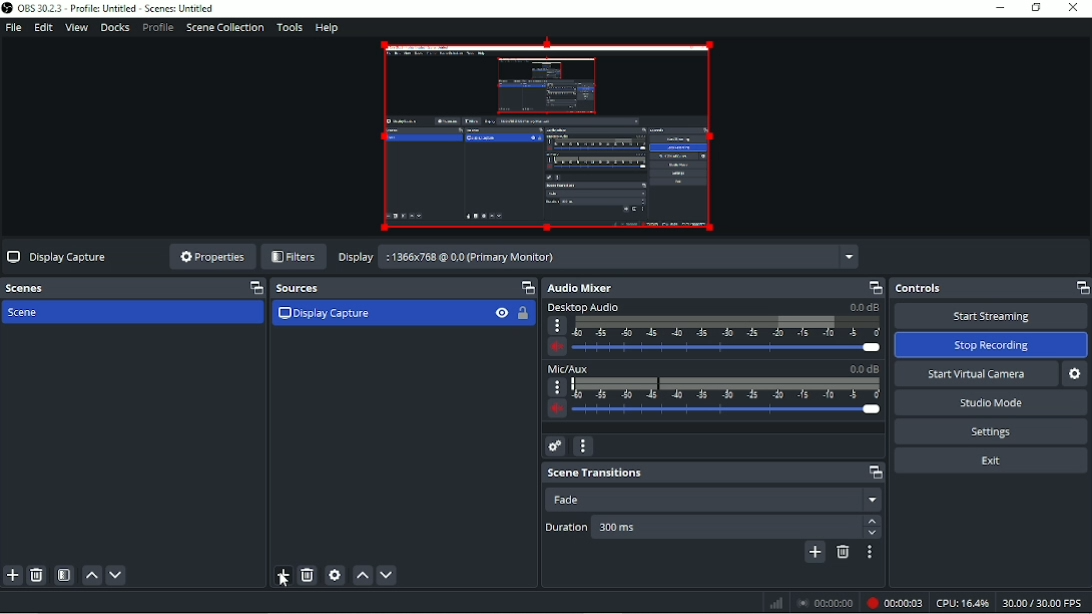  I want to click on Help, so click(327, 29).